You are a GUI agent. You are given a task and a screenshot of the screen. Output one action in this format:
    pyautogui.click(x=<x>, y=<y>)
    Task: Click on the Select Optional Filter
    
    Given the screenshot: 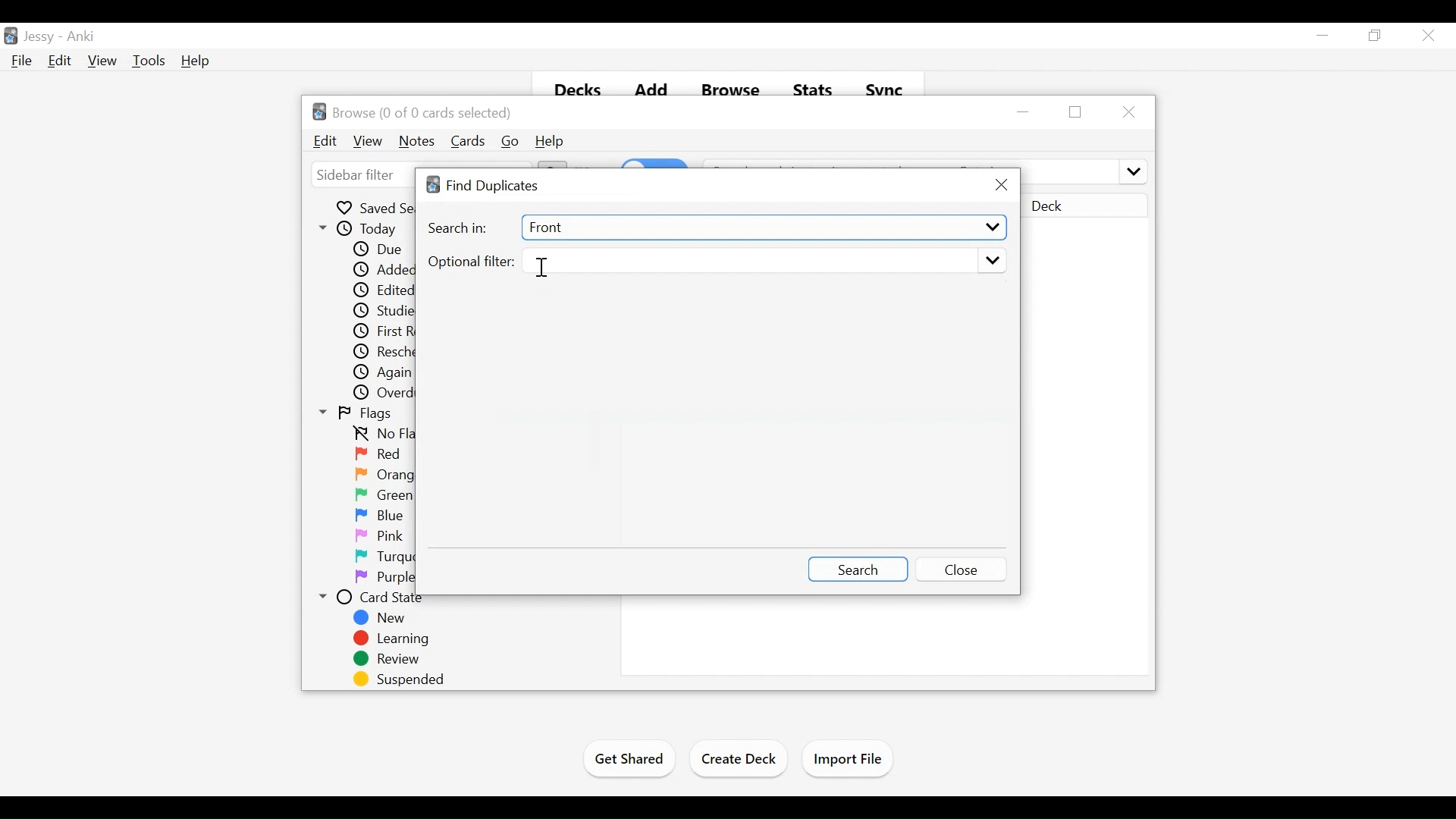 What is the action you would take?
    pyautogui.click(x=762, y=262)
    